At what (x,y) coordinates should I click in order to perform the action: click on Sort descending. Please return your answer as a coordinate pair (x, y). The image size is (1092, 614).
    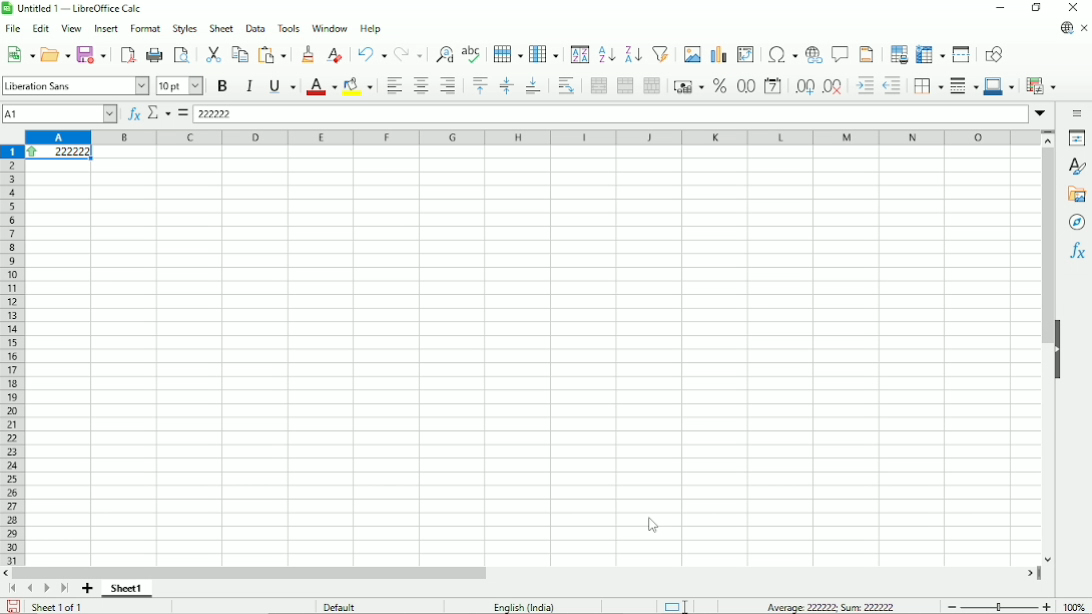
    Looking at the image, I should click on (632, 54).